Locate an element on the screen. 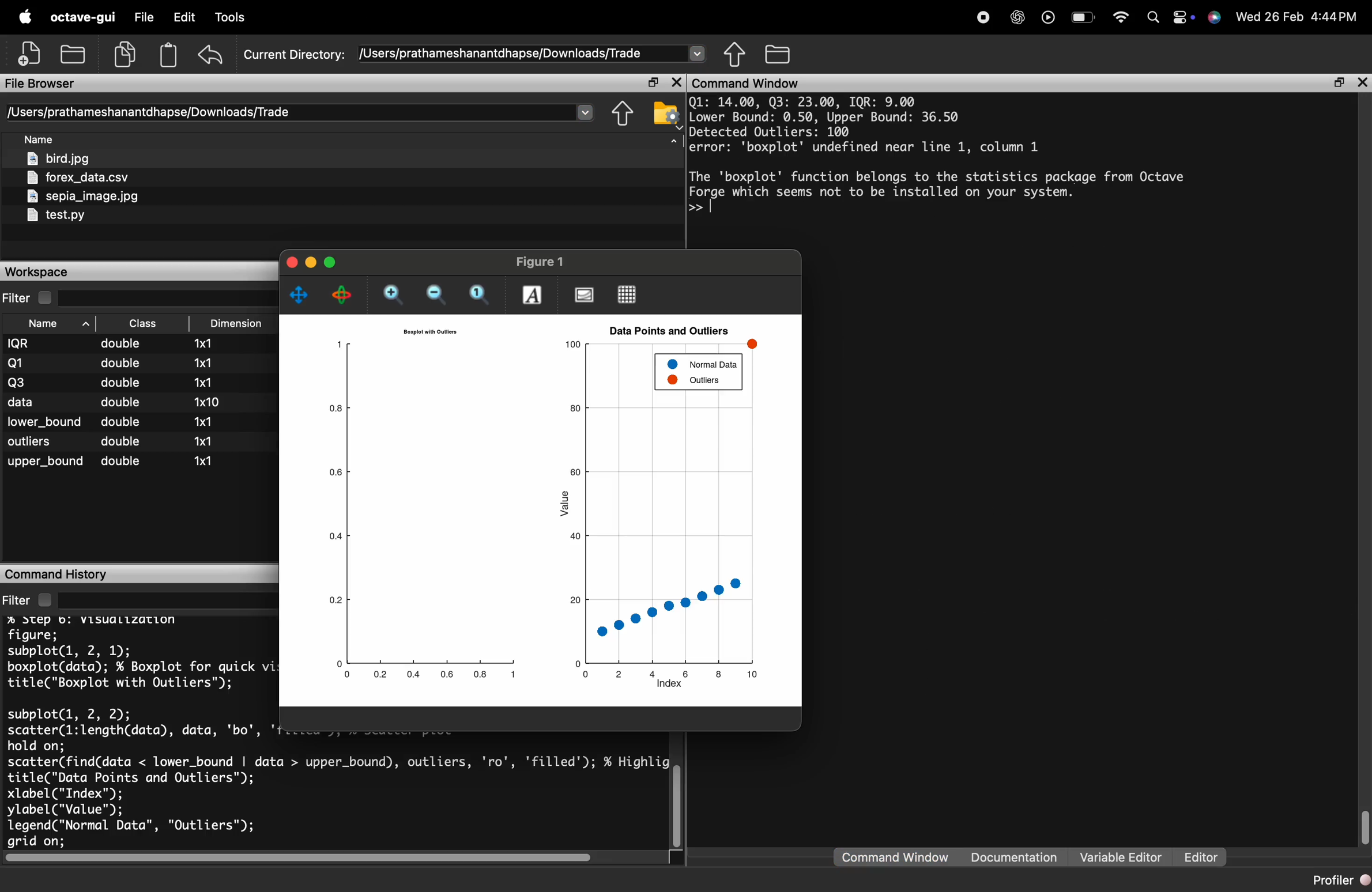 Image resolution: width=1372 pixels, height=892 pixels. battery is located at coordinates (1086, 18).